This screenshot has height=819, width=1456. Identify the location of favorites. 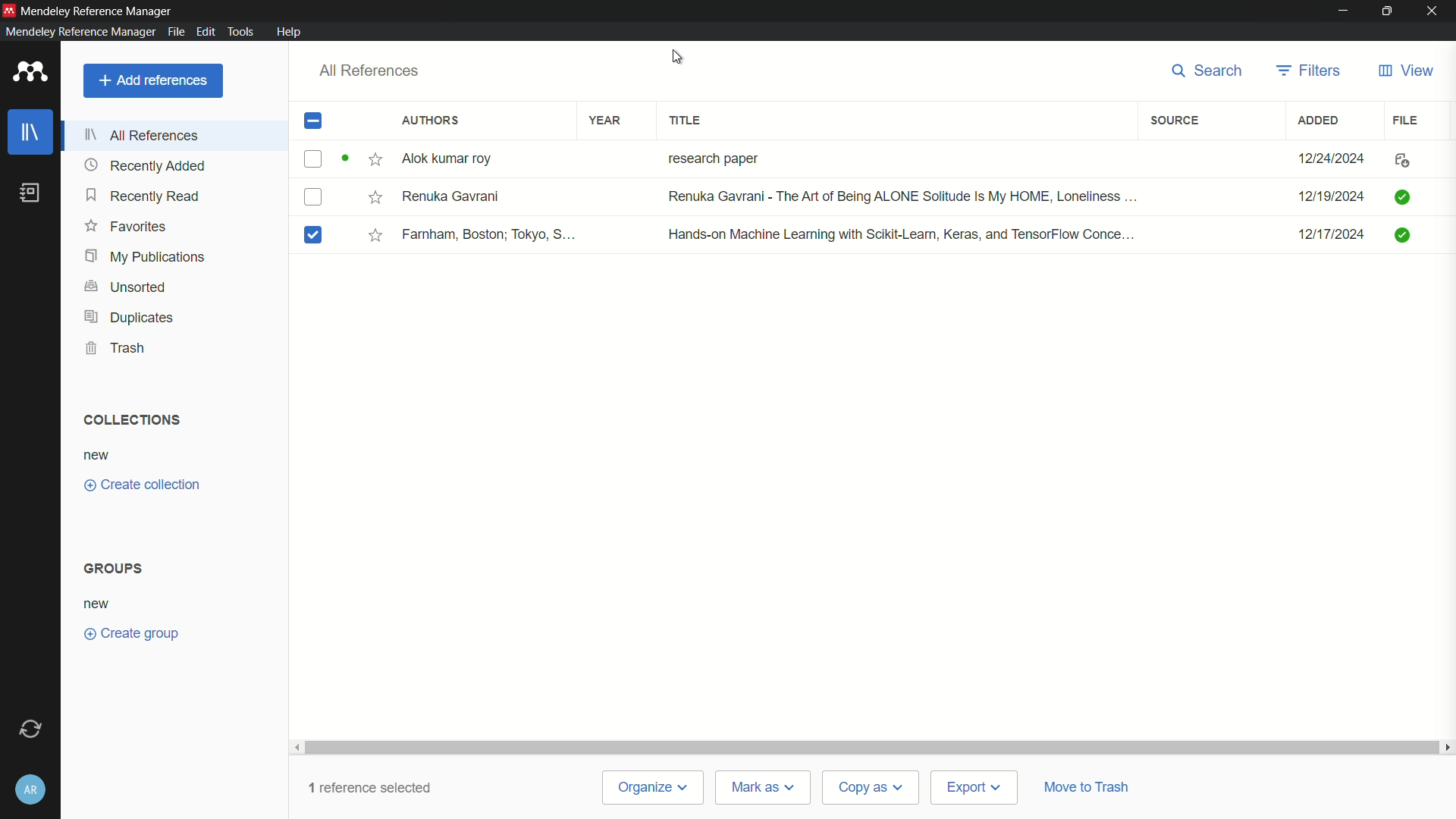
(127, 225).